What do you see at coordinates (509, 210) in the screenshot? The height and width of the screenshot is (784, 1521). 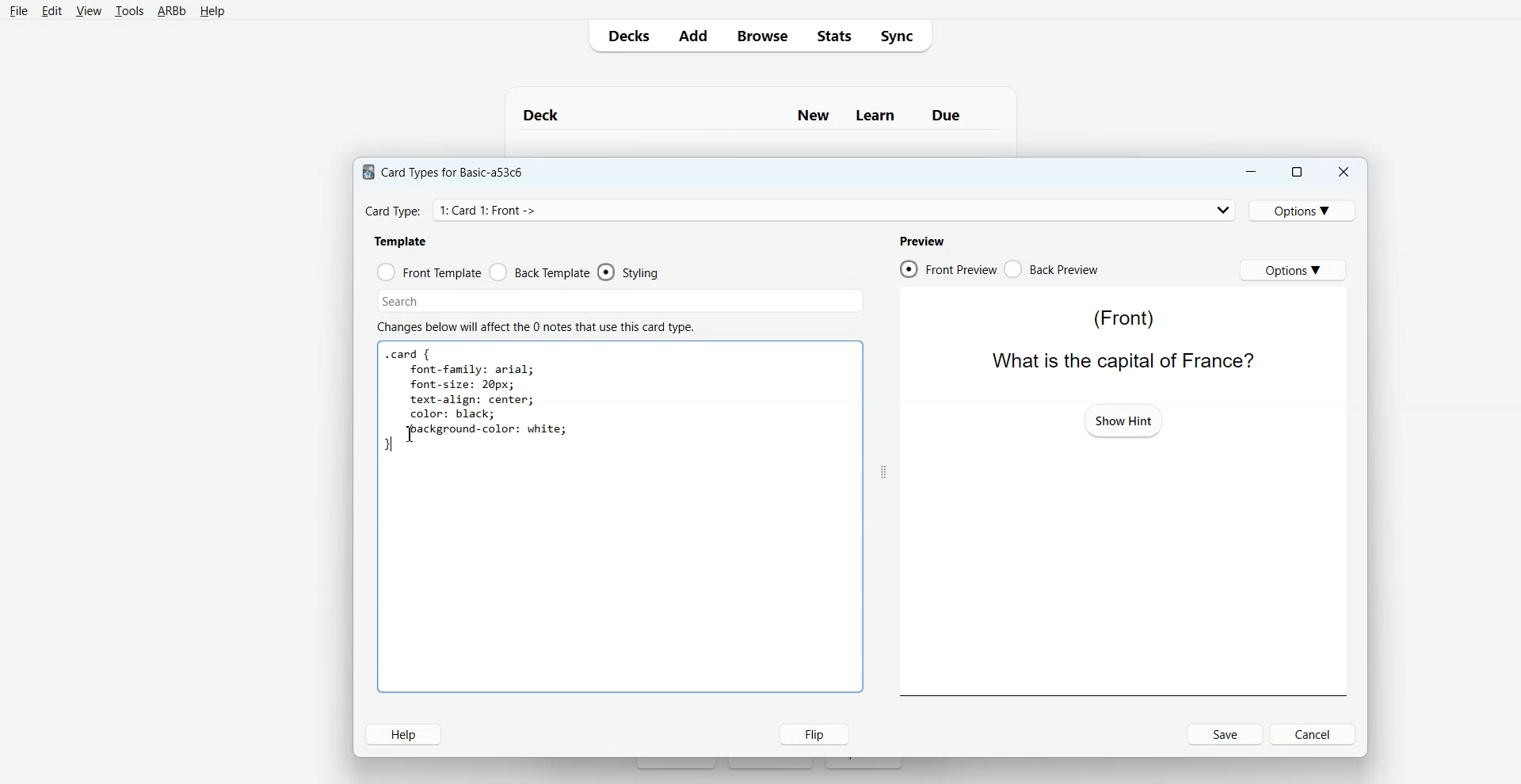 I see `Card Type: 1: Card 1: Front -> Back` at bounding box center [509, 210].